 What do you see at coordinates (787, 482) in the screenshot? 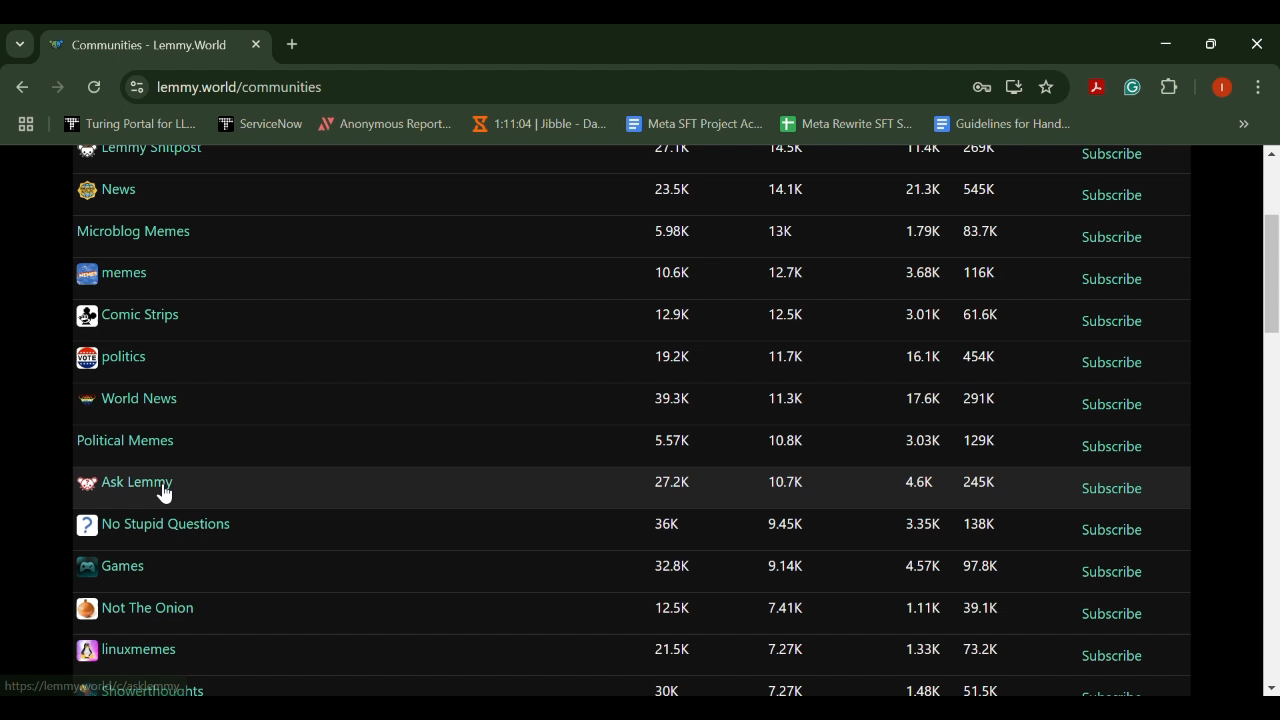
I see `10.7K` at bounding box center [787, 482].